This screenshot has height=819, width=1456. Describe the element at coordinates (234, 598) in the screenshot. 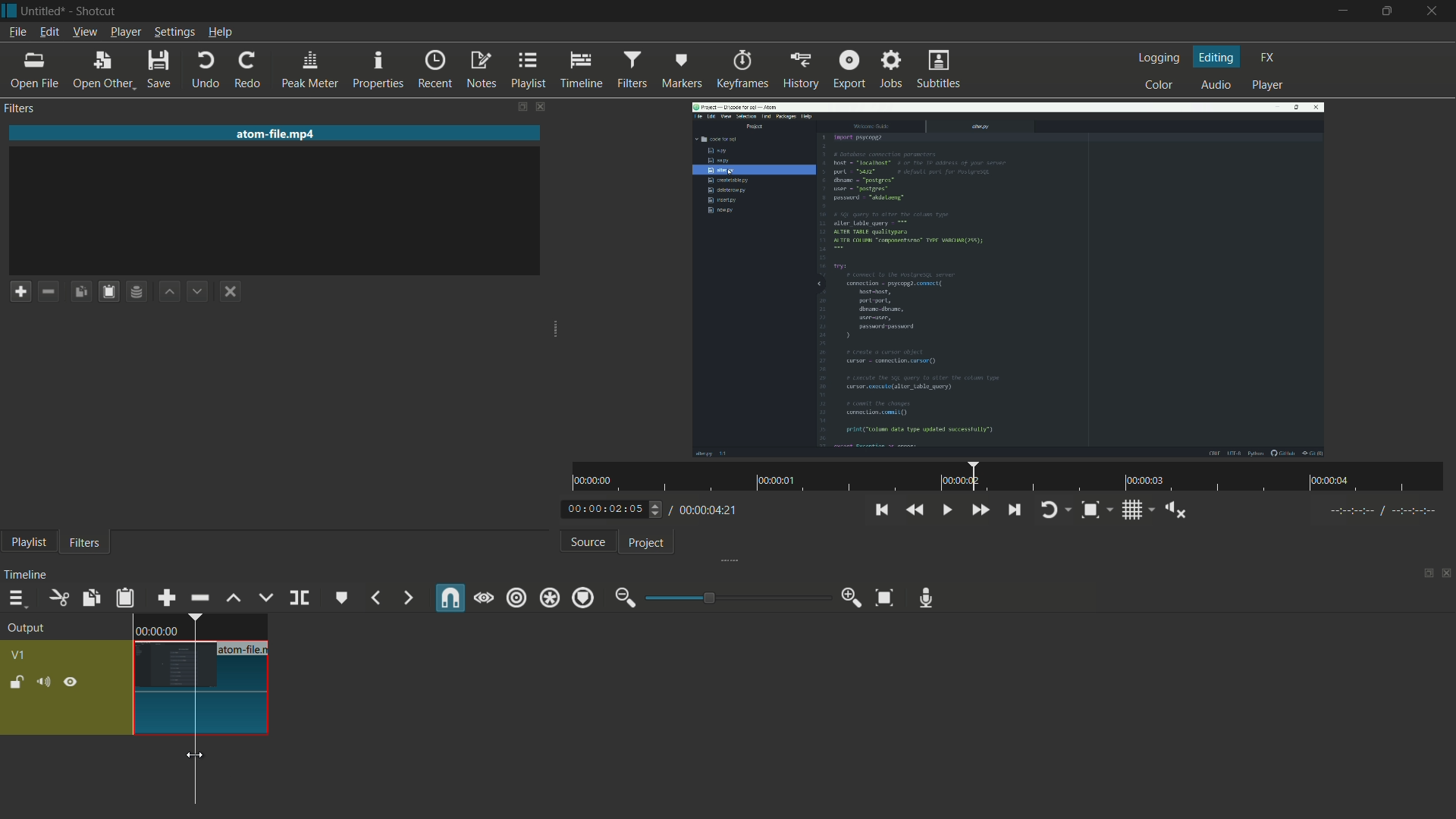

I see `lift` at that location.